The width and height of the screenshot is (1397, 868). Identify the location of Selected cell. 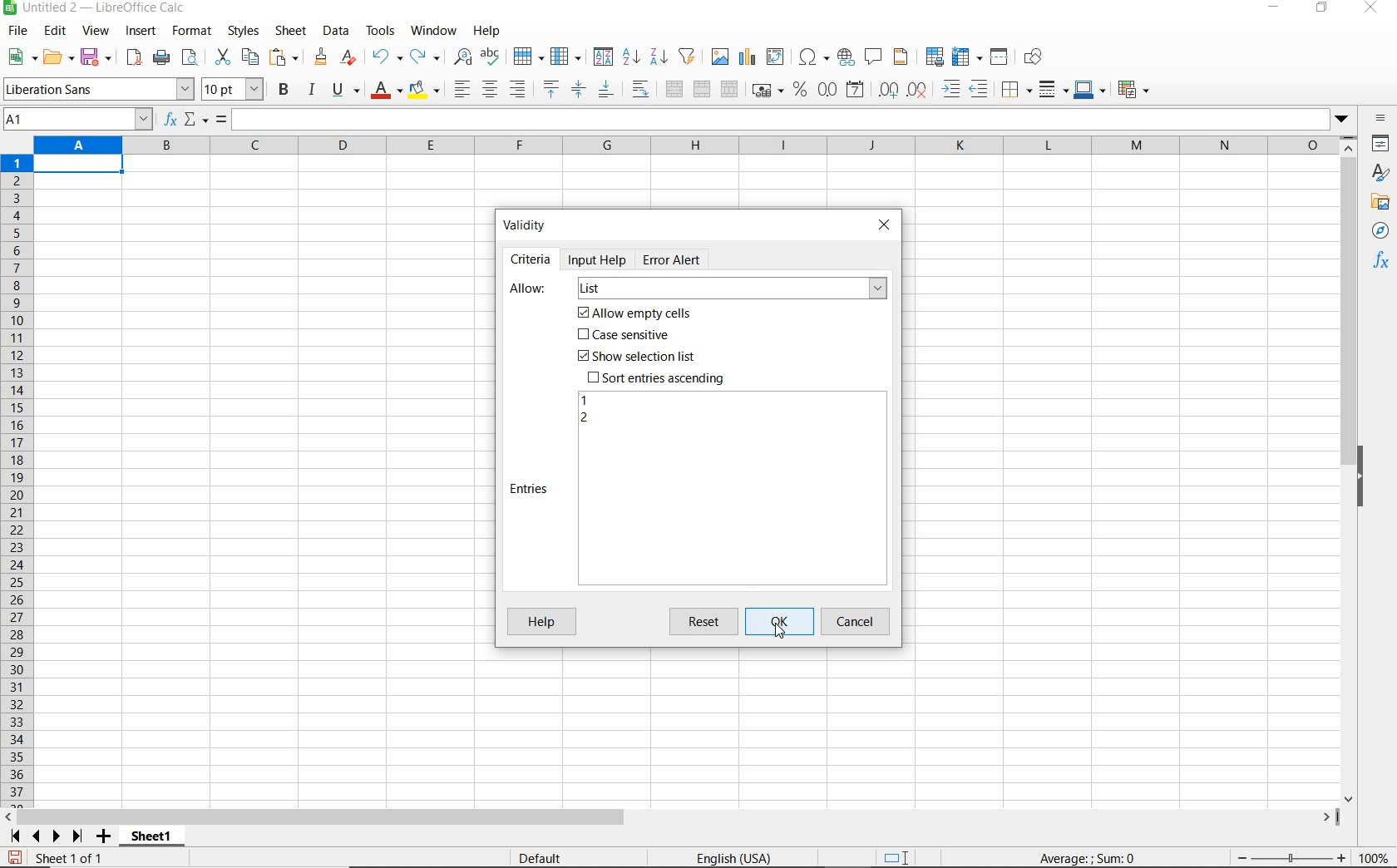
(78, 165).